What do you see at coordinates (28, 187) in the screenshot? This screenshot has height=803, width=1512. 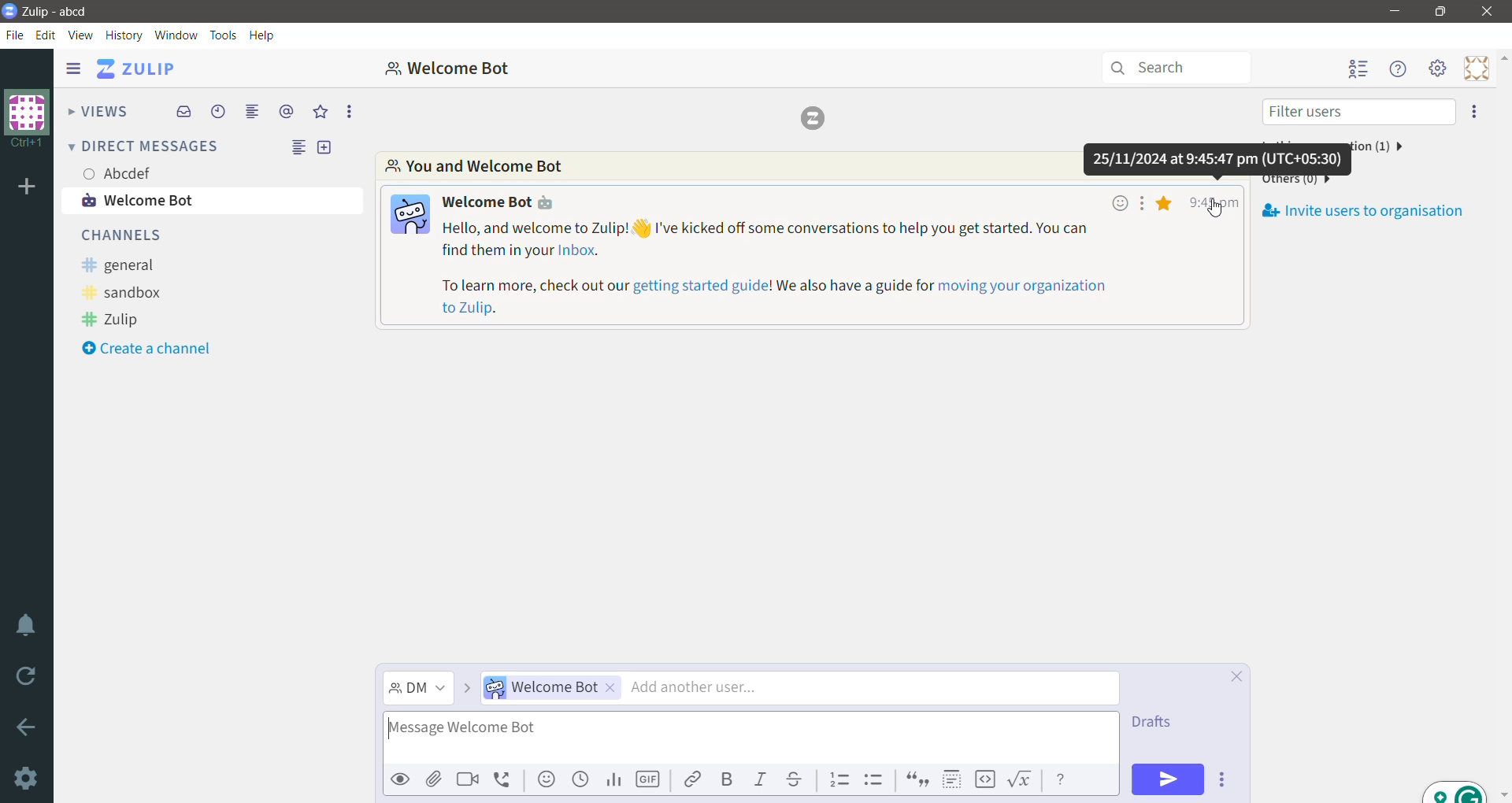 I see `Add organization` at bounding box center [28, 187].